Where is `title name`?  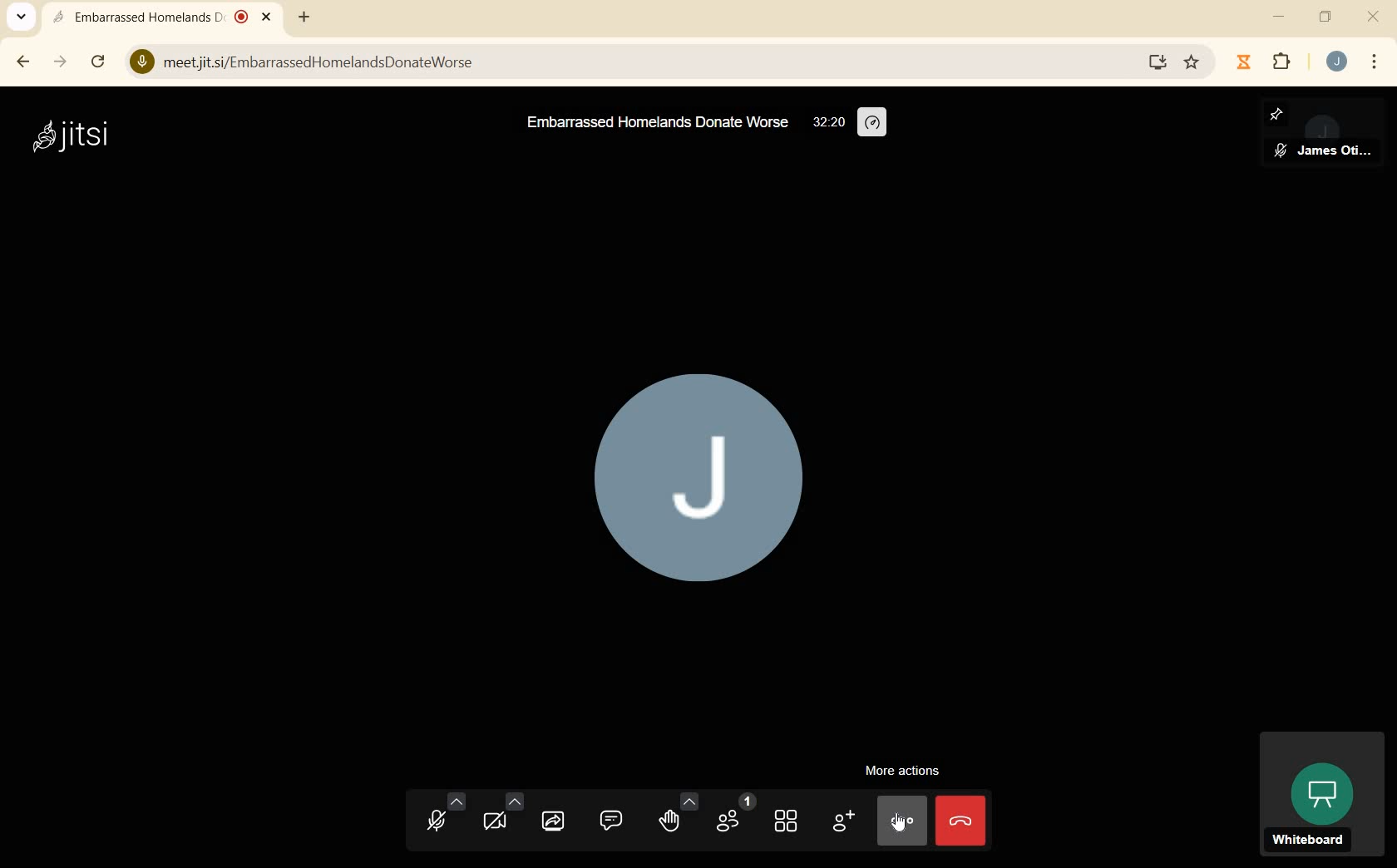
title name is located at coordinates (655, 126).